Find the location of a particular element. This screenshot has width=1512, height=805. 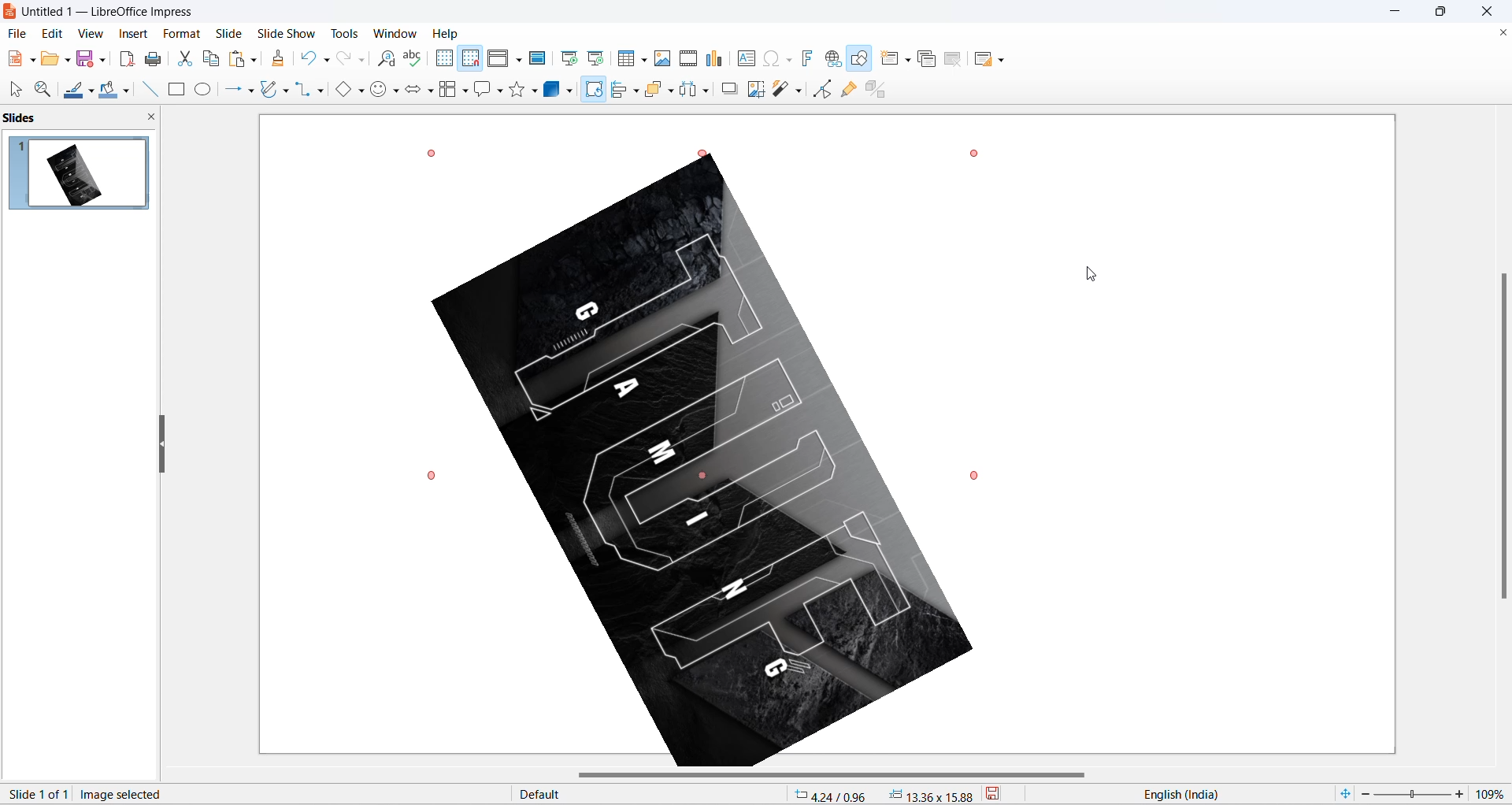

insert hyperlink is located at coordinates (835, 60).